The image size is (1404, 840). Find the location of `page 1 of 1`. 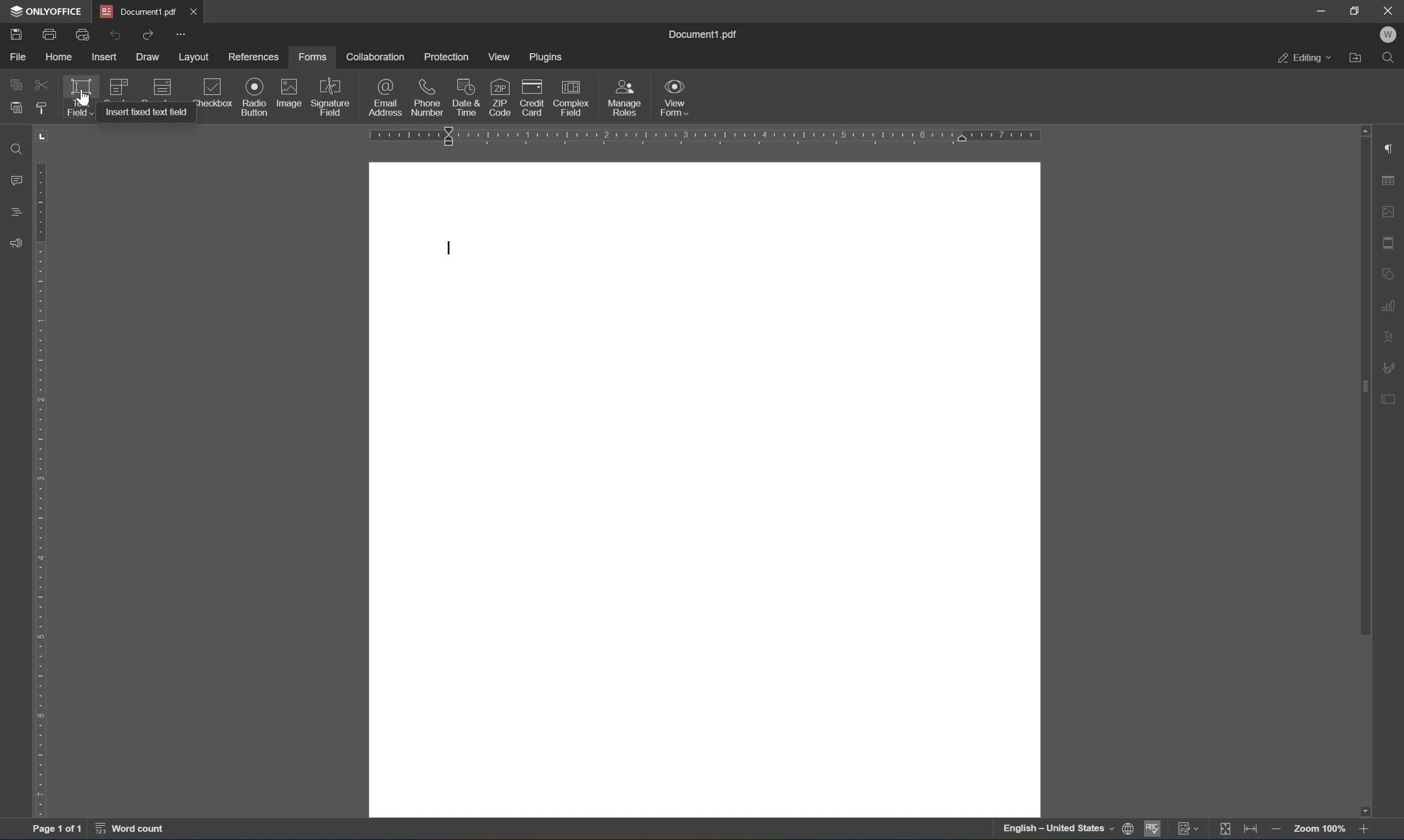

page 1 of 1 is located at coordinates (53, 829).